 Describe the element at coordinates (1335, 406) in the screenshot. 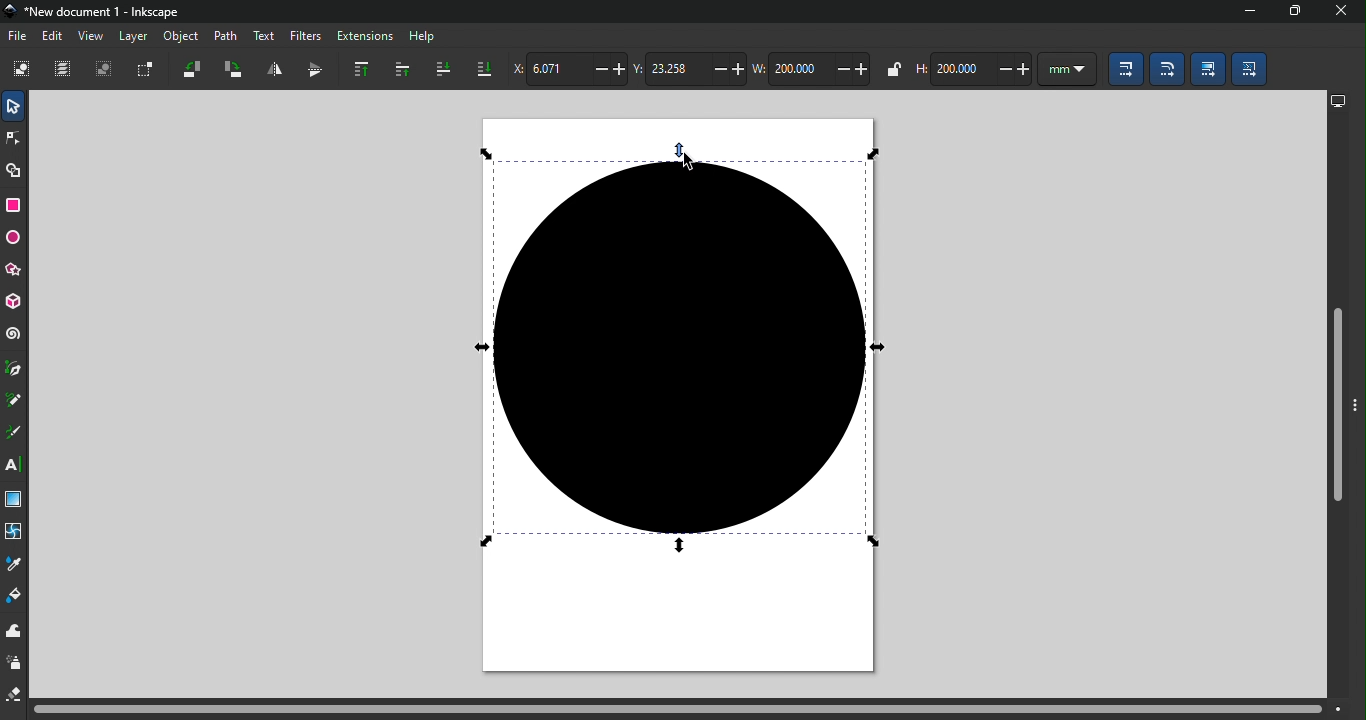

I see `Vertical scroll bar` at that location.